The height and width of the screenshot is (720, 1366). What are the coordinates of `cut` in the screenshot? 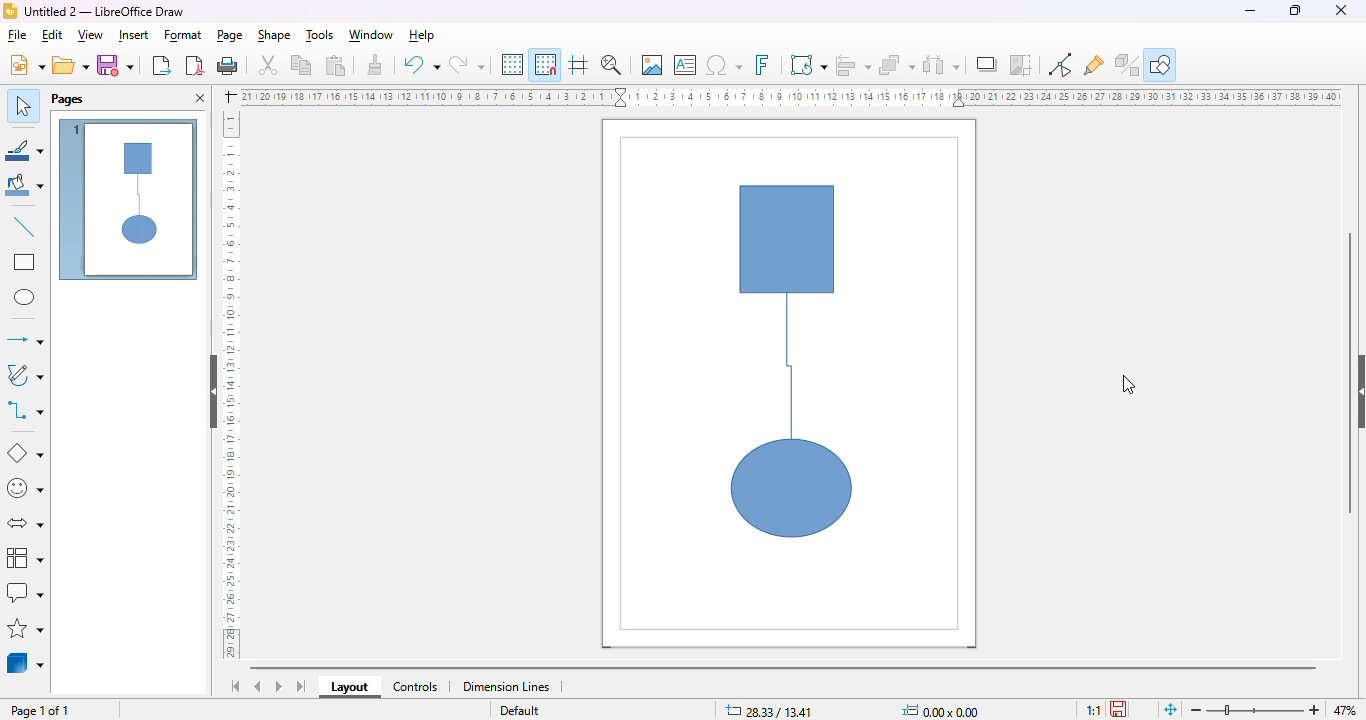 It's located at (268, 65).